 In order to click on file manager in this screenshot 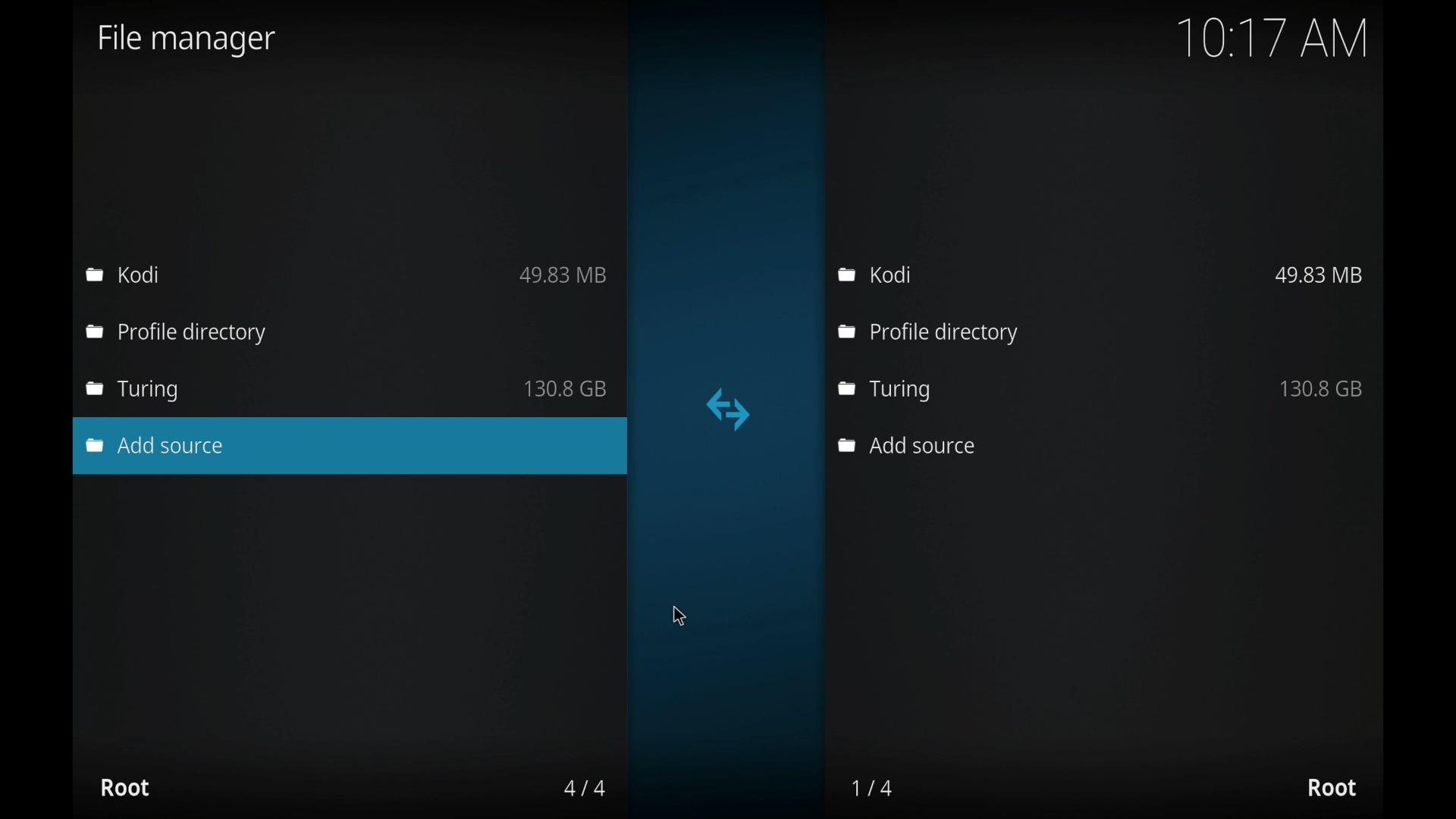, I will do `click(187, 40)`.